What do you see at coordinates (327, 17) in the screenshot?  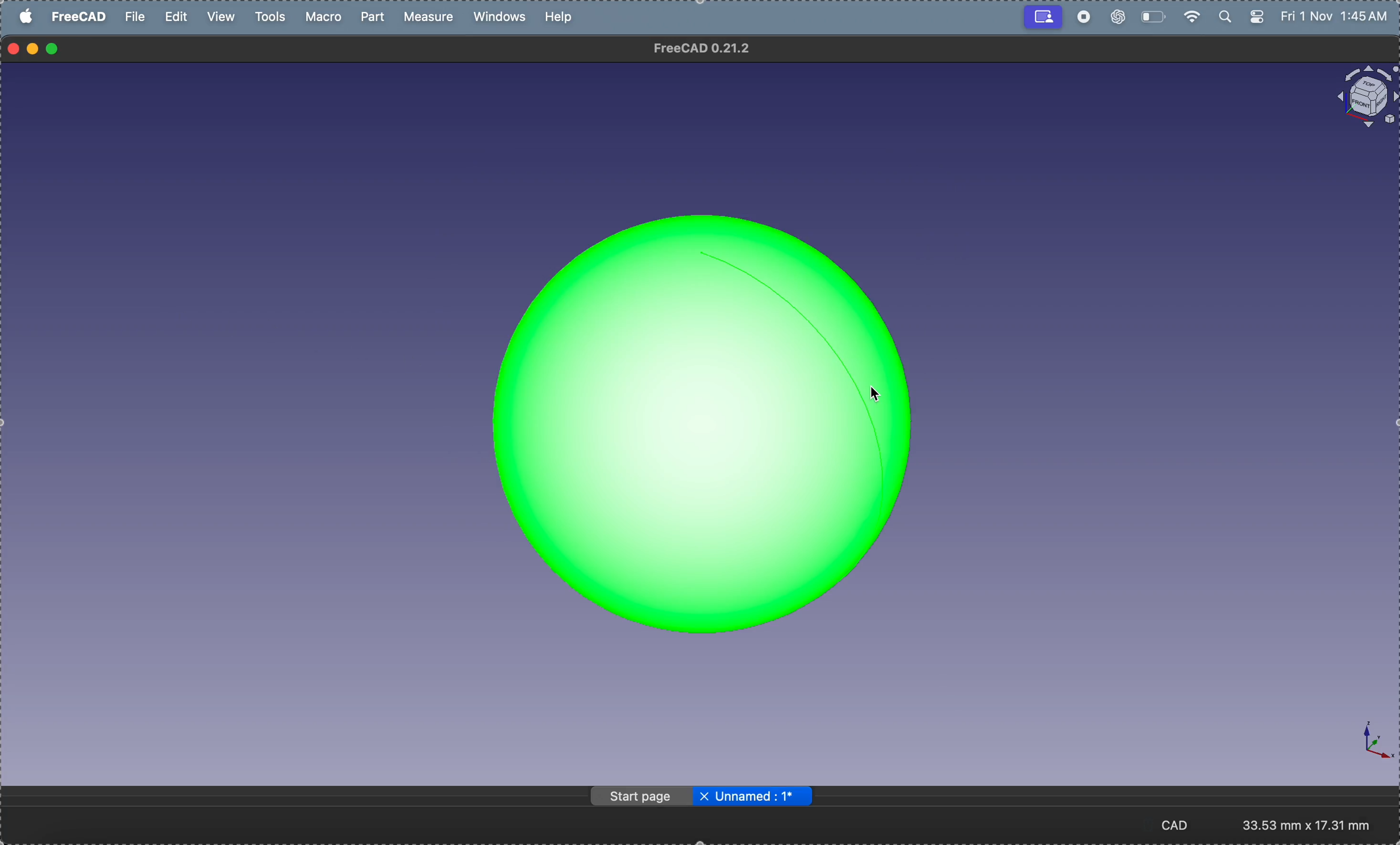 I see `marco` at bounding box center [327, 17].